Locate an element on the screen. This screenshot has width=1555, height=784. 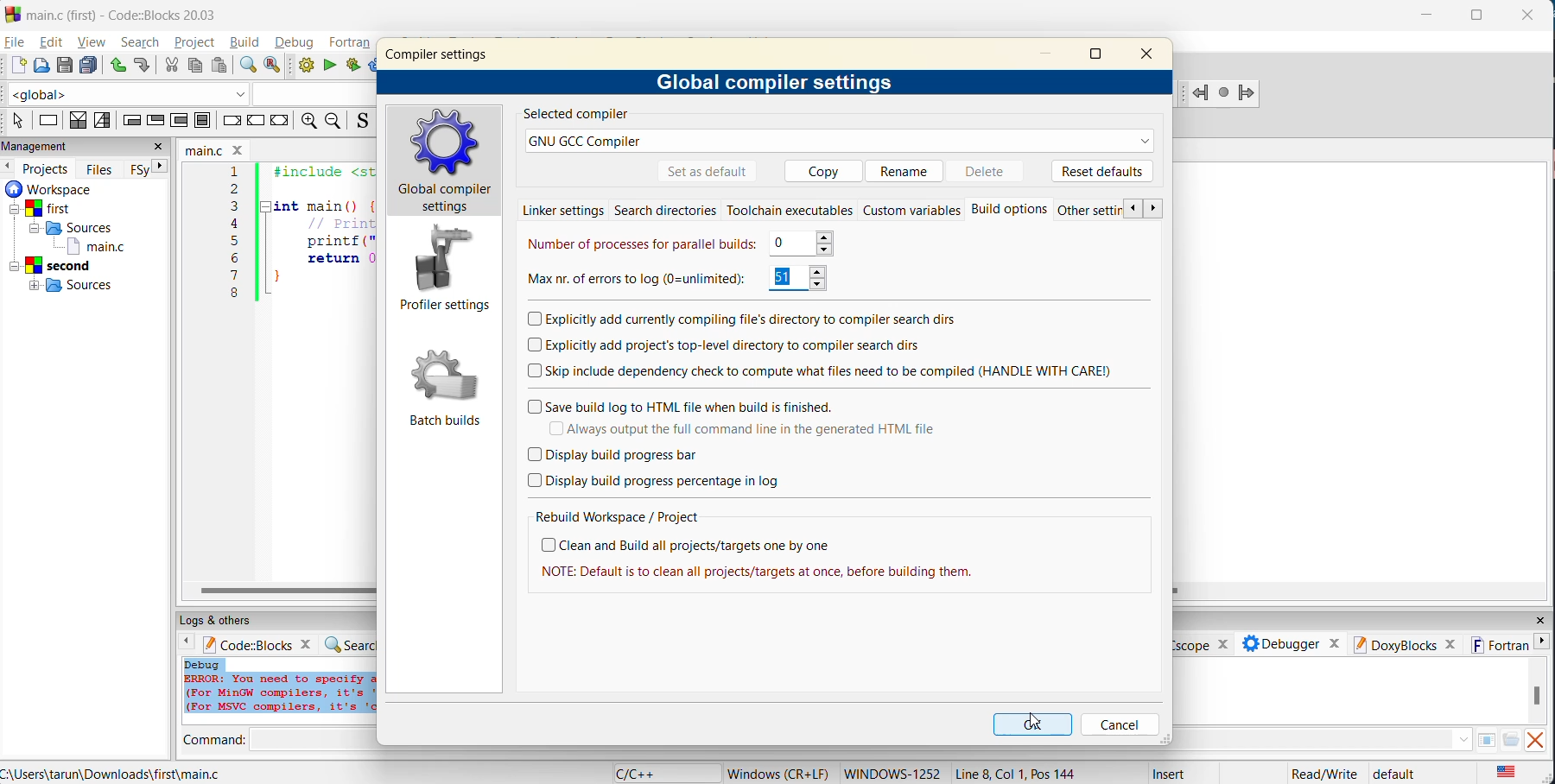
default is located at coordinates (1396, 774).